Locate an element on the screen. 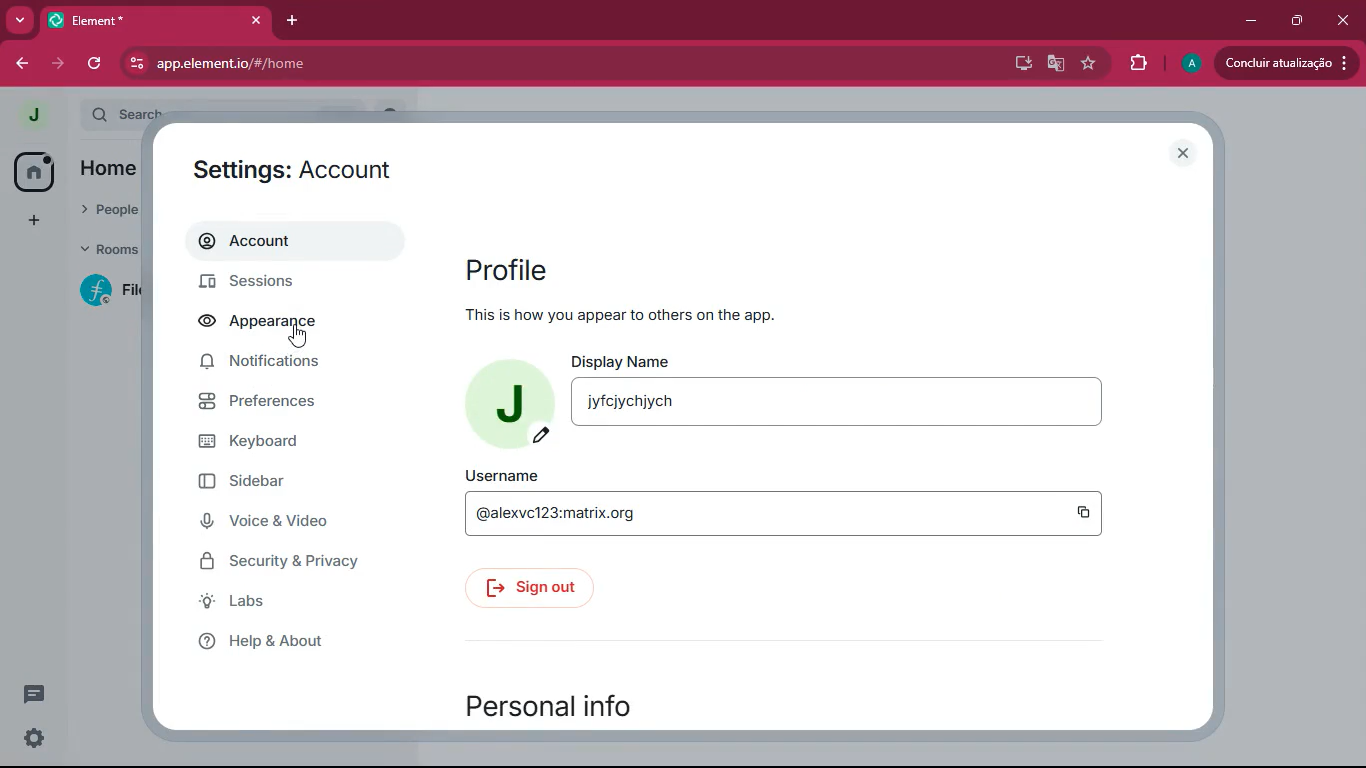  Keyboard is located at coordinates (272, 437).